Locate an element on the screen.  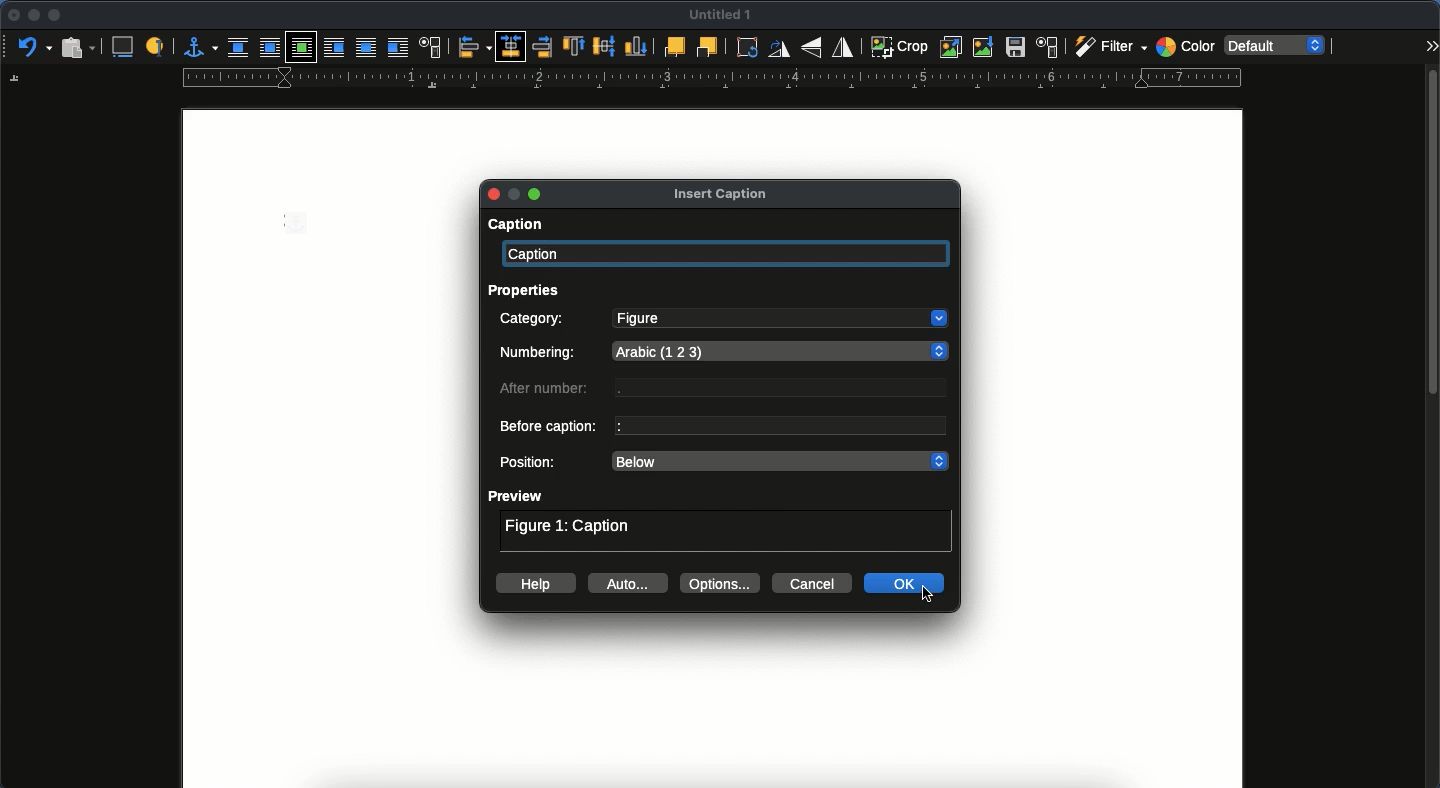
replace is located at coordinates (952, 47).